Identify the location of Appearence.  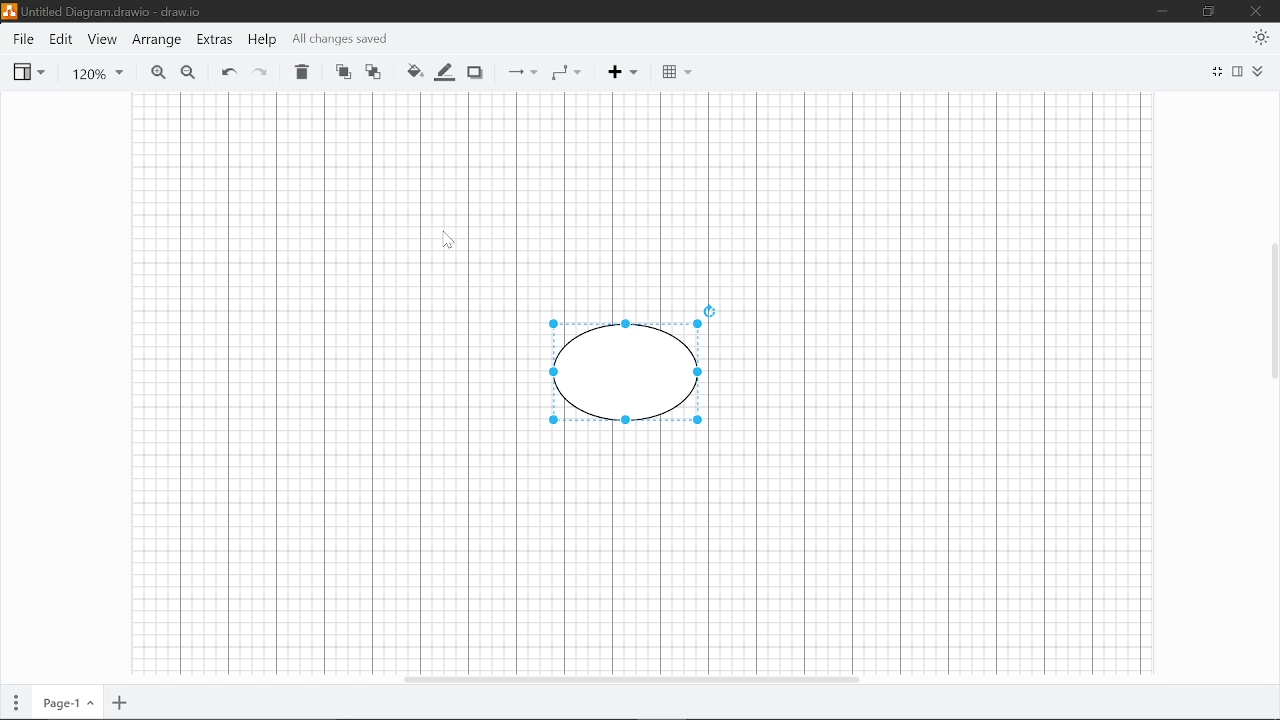
(1261, 38).